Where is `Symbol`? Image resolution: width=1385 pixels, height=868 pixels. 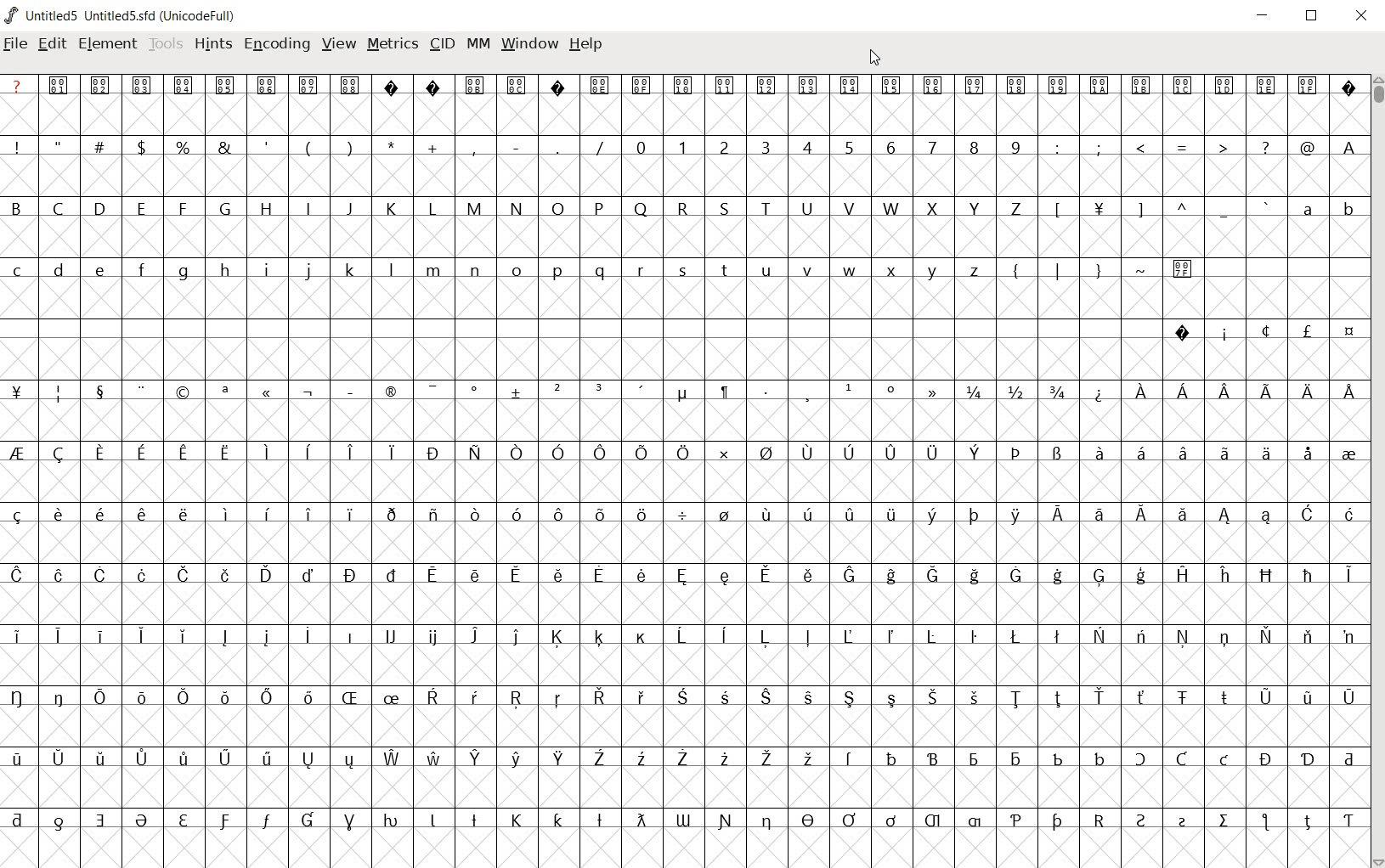
Symbol is located at coordinates (1058, 699).